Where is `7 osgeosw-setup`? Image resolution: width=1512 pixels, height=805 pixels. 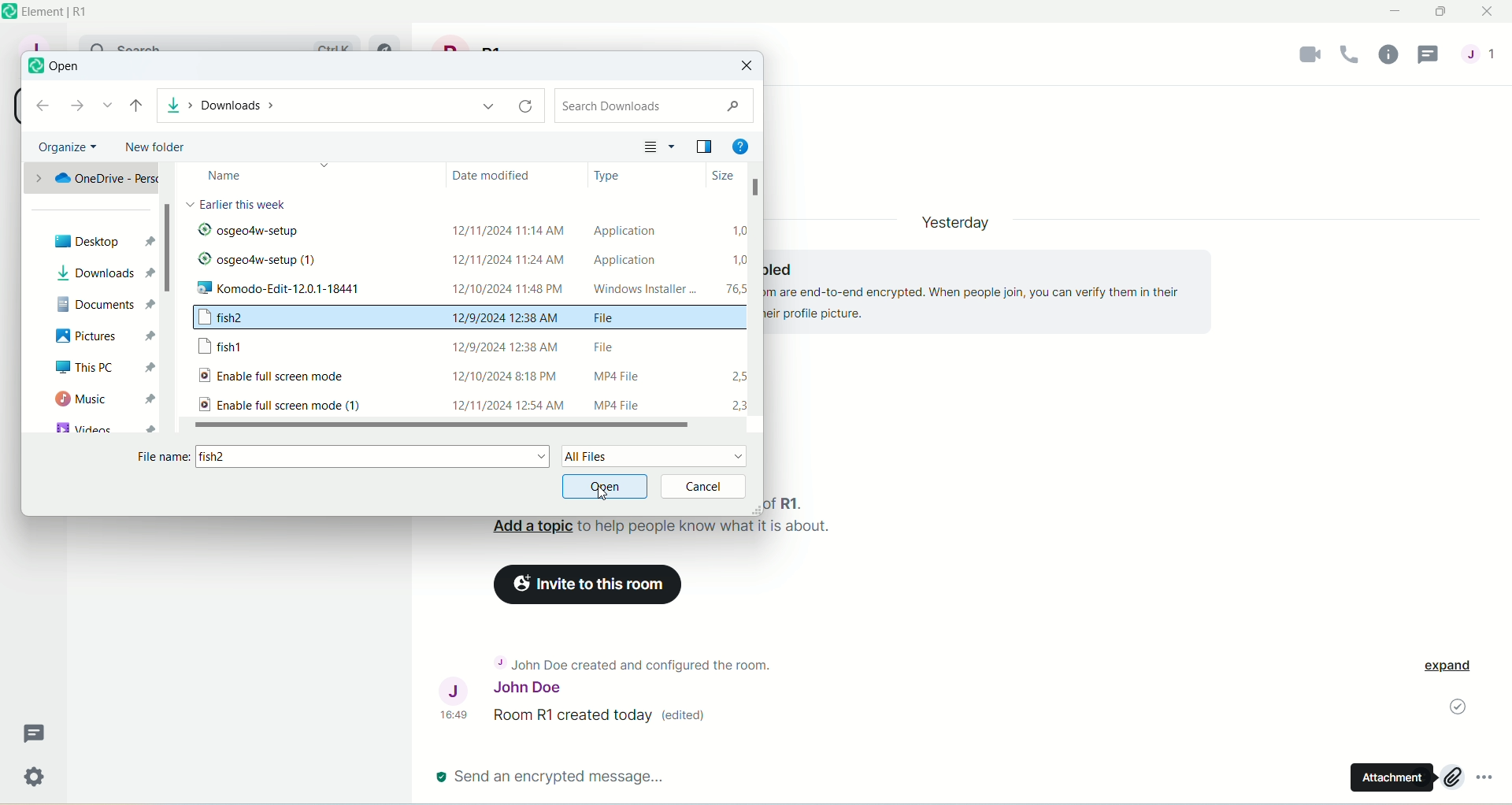
7 osgeosw-setup is located at coordinates (309, 233).